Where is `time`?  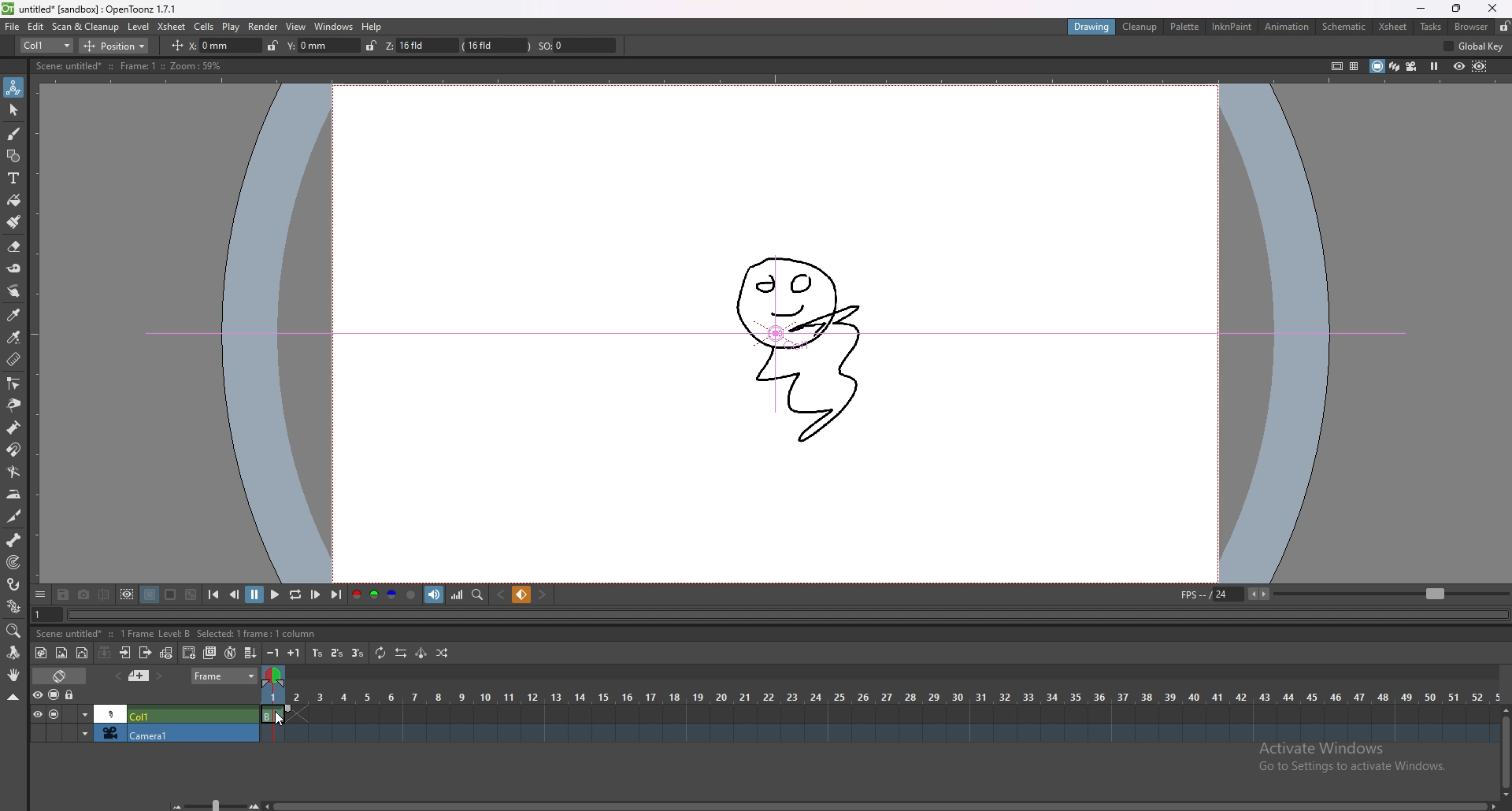 time is located at coordinates (880, 694).